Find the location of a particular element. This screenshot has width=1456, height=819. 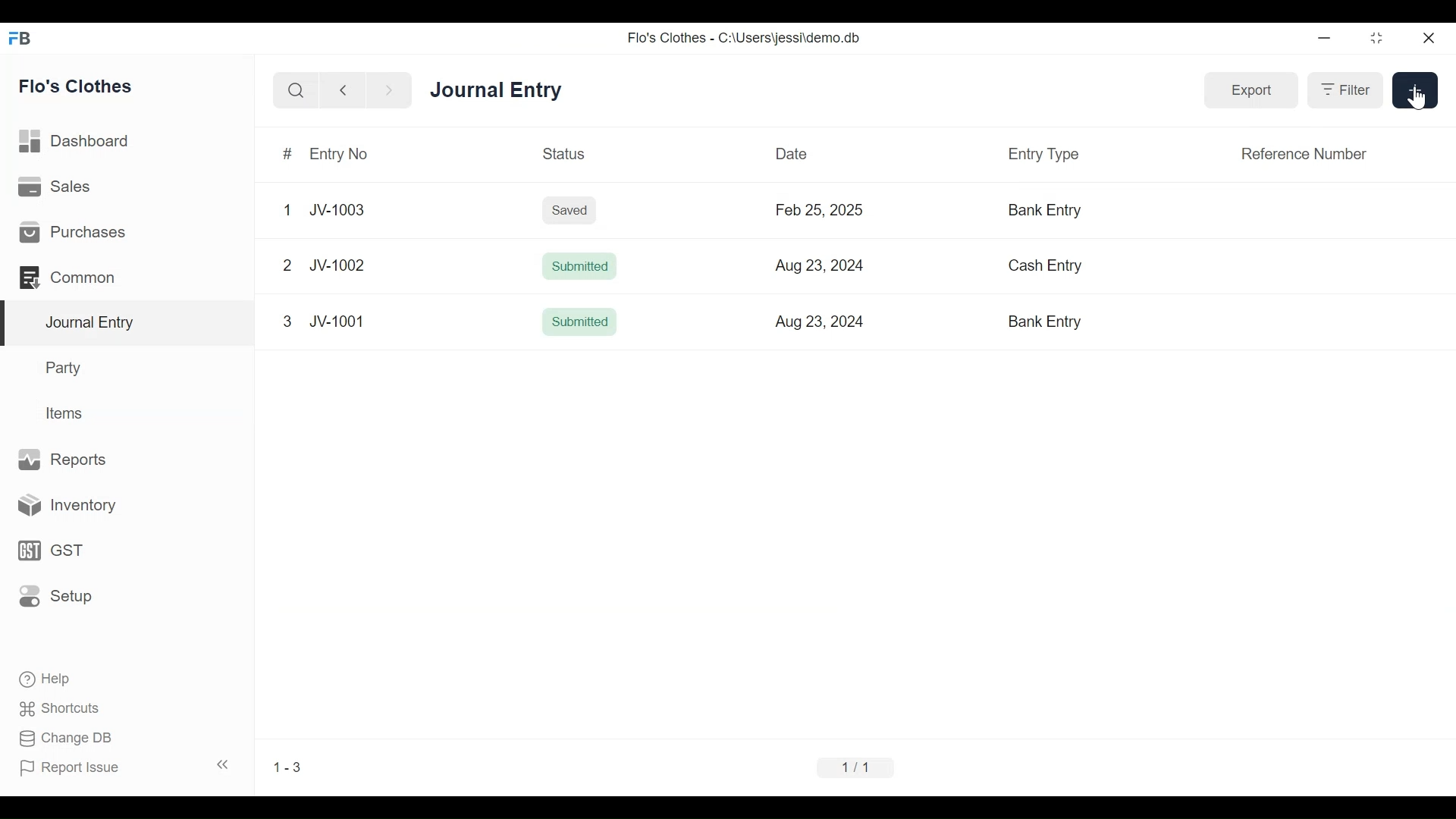

Reports is located at coordinates (64, 458).